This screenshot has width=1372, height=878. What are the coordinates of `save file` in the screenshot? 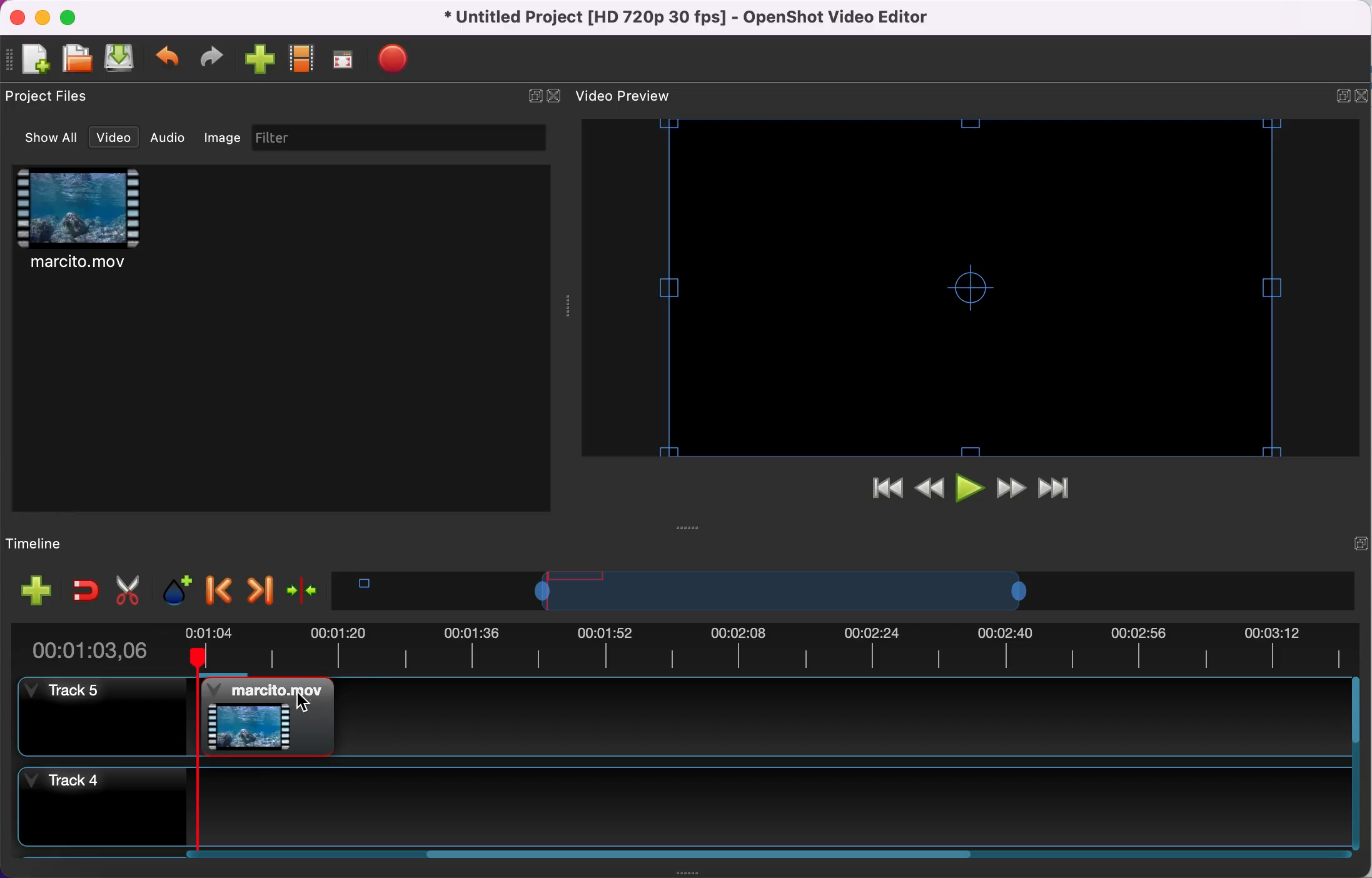 It's located at (119, 58).